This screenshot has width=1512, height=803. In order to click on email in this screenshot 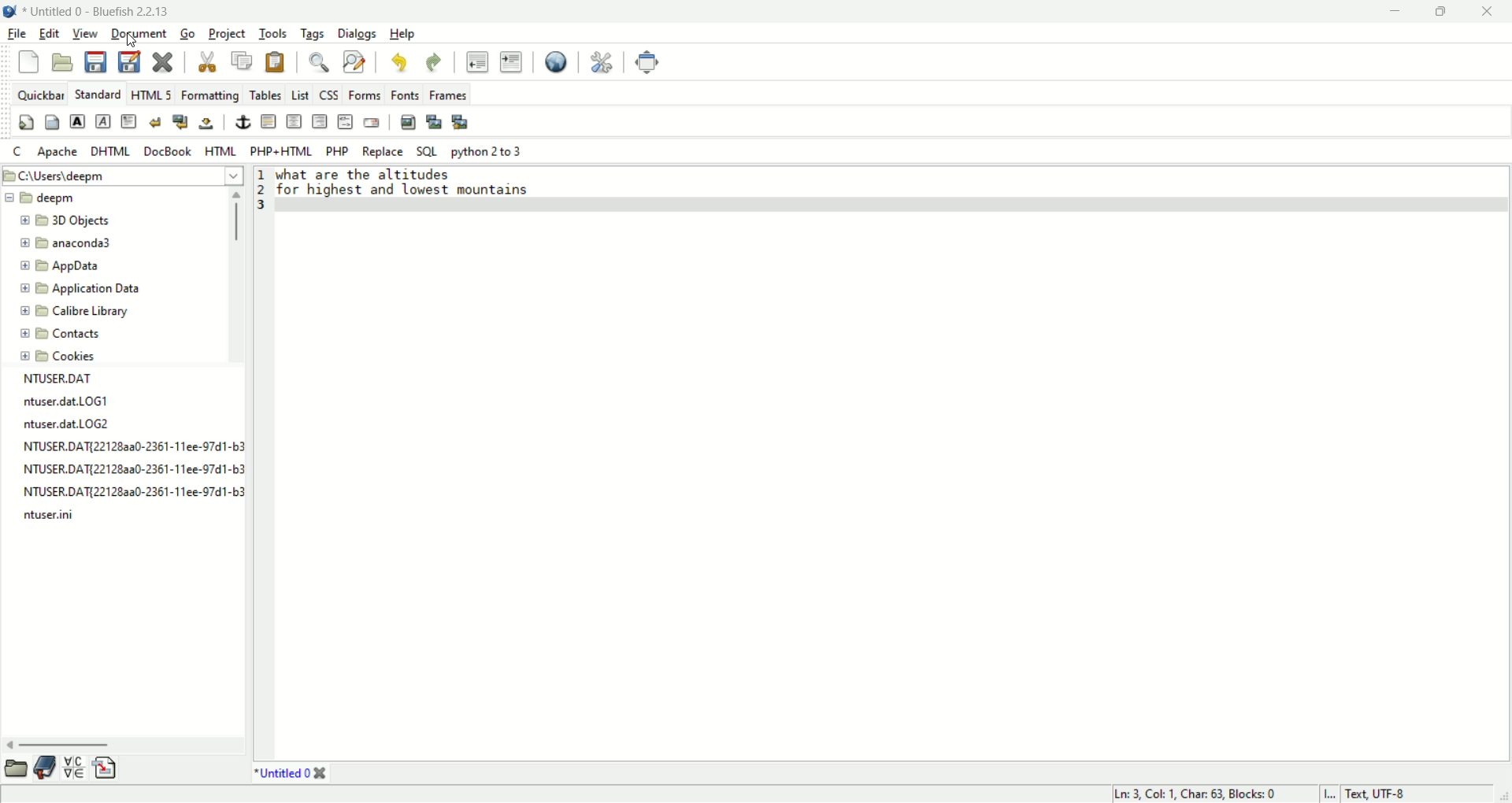, I will do `click(373, 122)`.